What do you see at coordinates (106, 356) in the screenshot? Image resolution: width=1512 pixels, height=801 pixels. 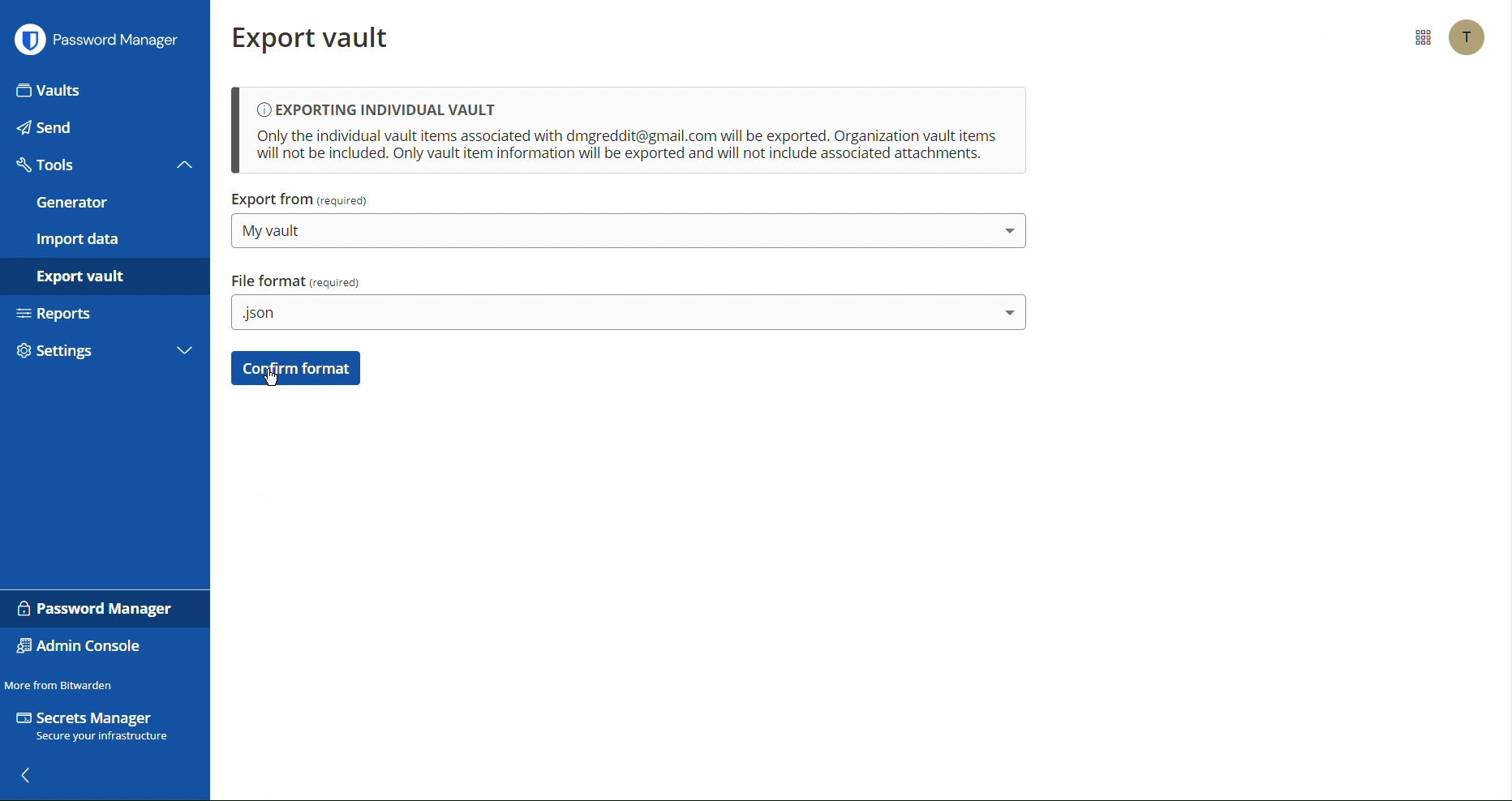 I see `Settings` at bounding box center [106, 356].